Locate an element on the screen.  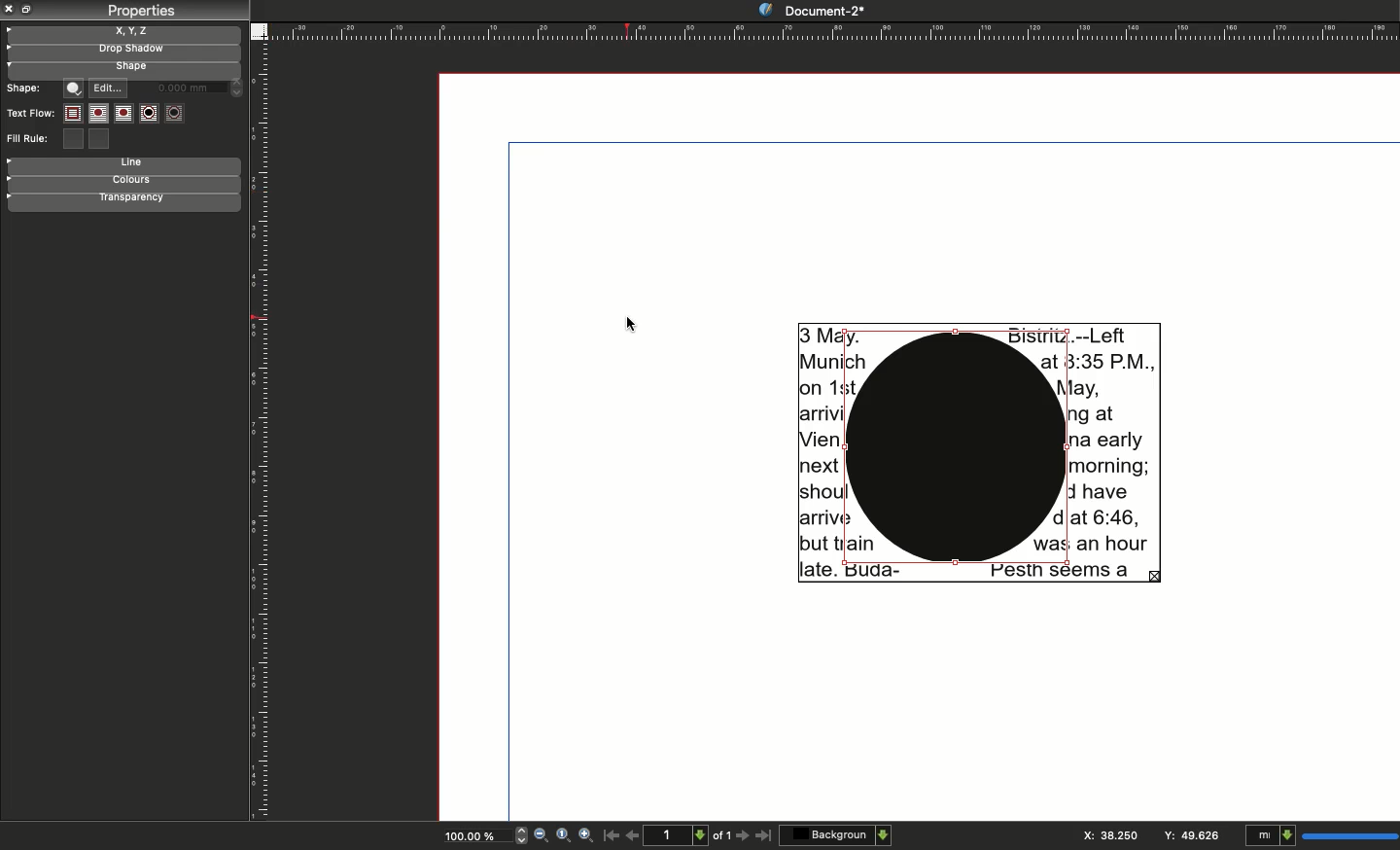
Ruler is located at coordinates (258, 435).